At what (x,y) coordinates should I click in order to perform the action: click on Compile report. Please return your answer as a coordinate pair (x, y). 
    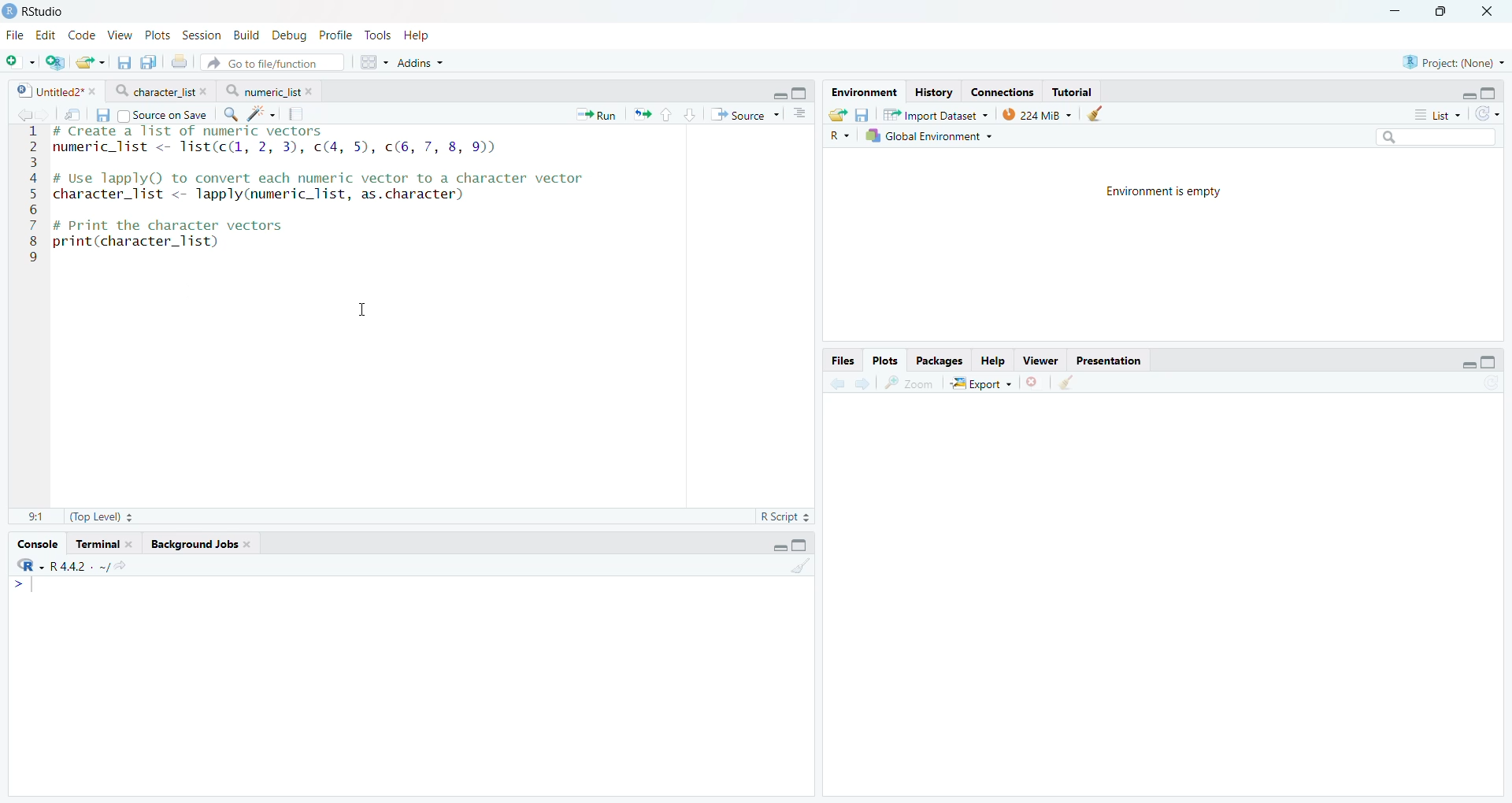
    Looking at the image, I should click on (298, 113).